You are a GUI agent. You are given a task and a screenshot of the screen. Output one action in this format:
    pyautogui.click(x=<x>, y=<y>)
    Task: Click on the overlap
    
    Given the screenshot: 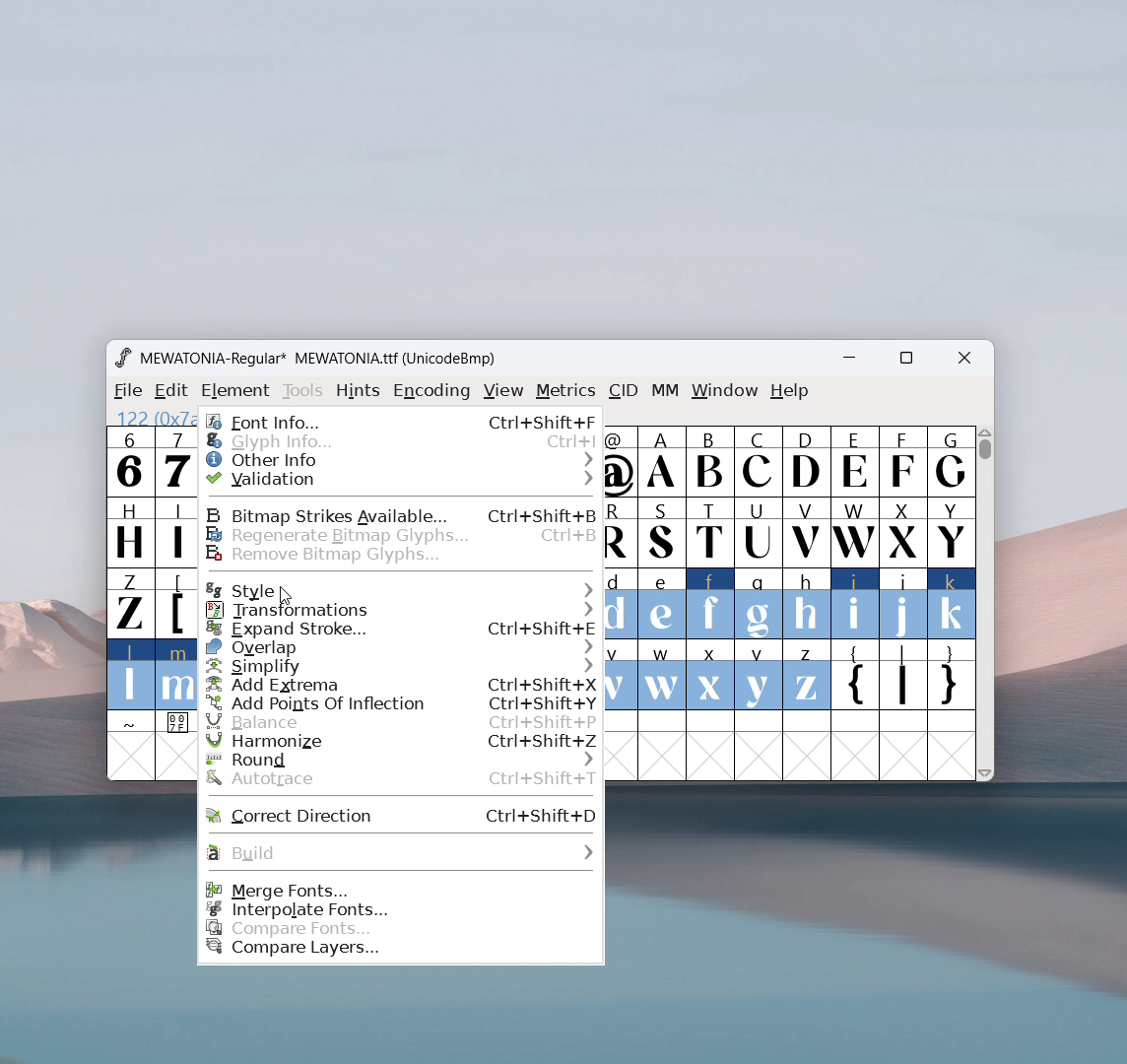 What is the action you would take?
    pyautogui.click(x=401, y=648)
    